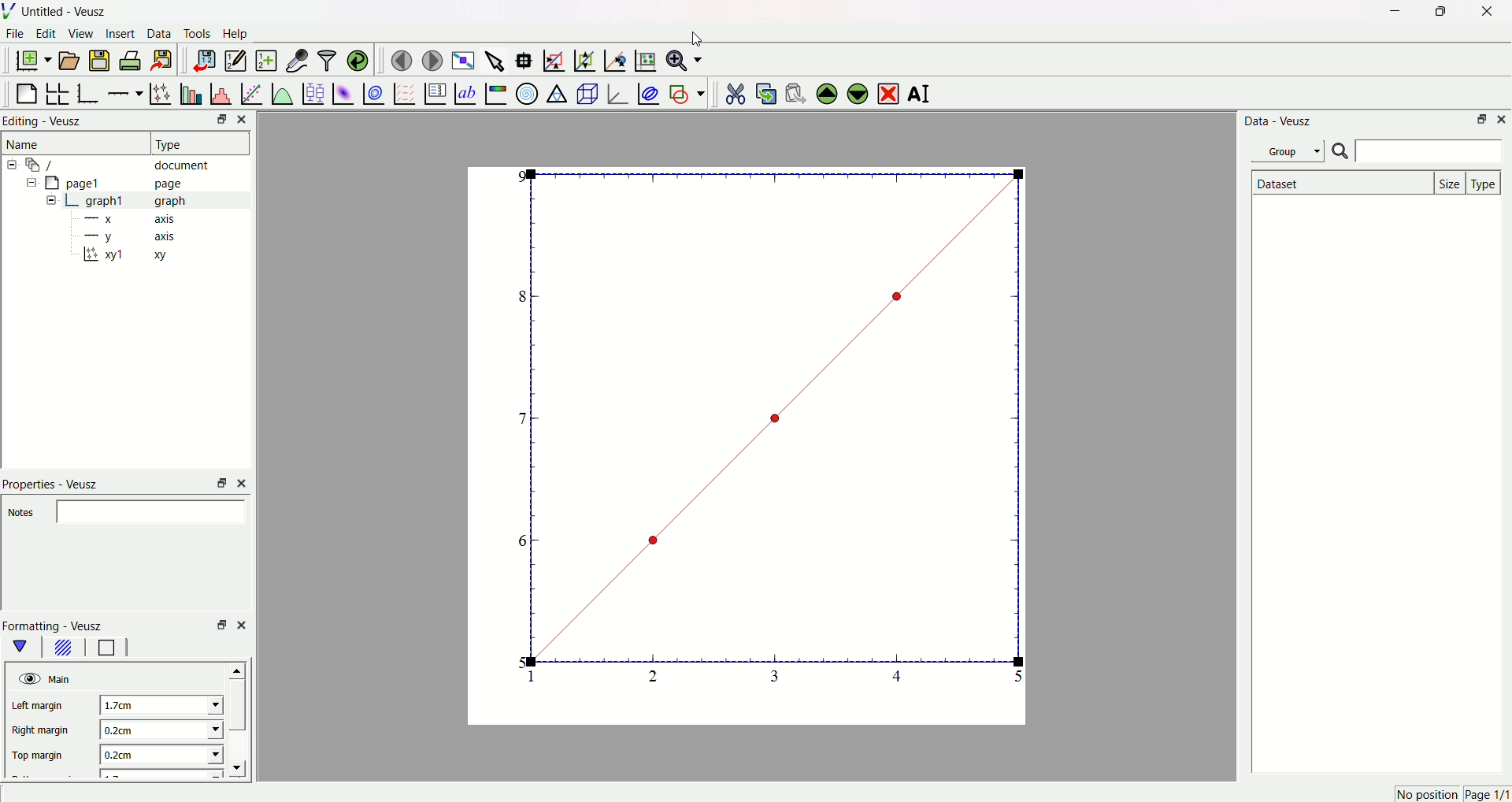  What do you see at coordinates (265, 61) in the screenshot?
I see `create new datasets` at bounding box center [265, 61].